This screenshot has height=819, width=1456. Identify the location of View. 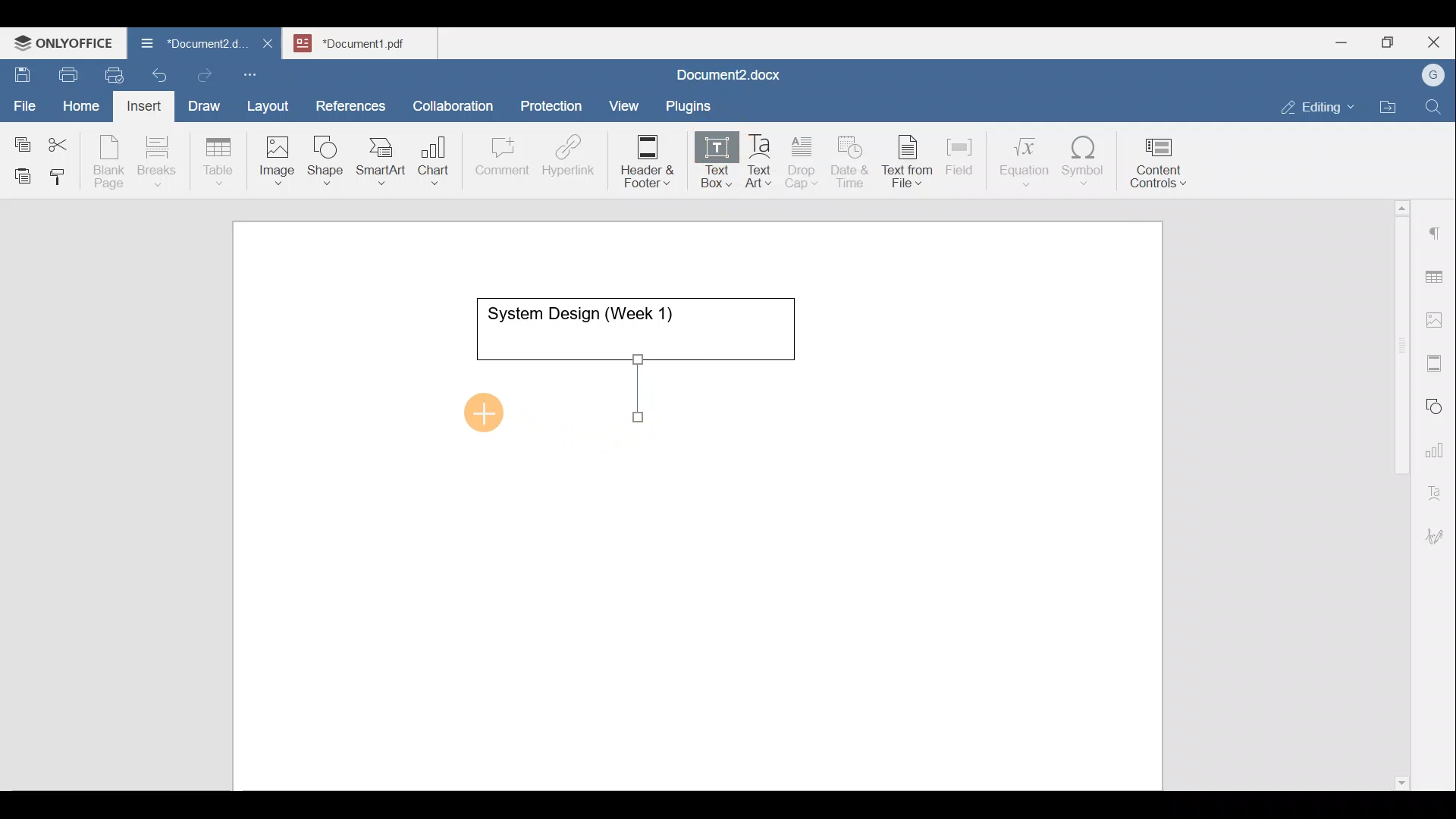
(625, 101).